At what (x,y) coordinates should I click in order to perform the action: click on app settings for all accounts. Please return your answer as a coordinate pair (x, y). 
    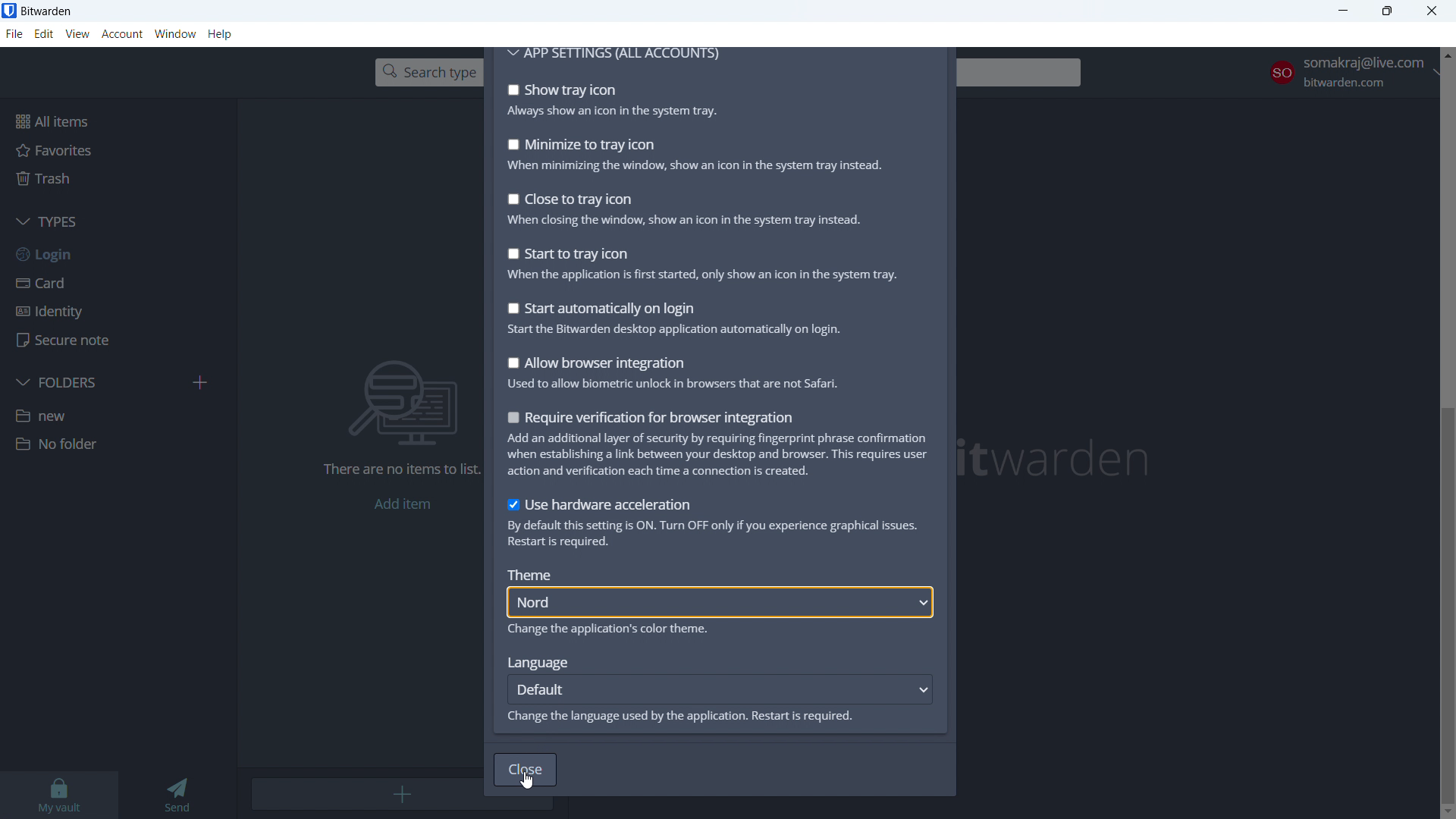
    Looking at the image, I should click on (614, 58).